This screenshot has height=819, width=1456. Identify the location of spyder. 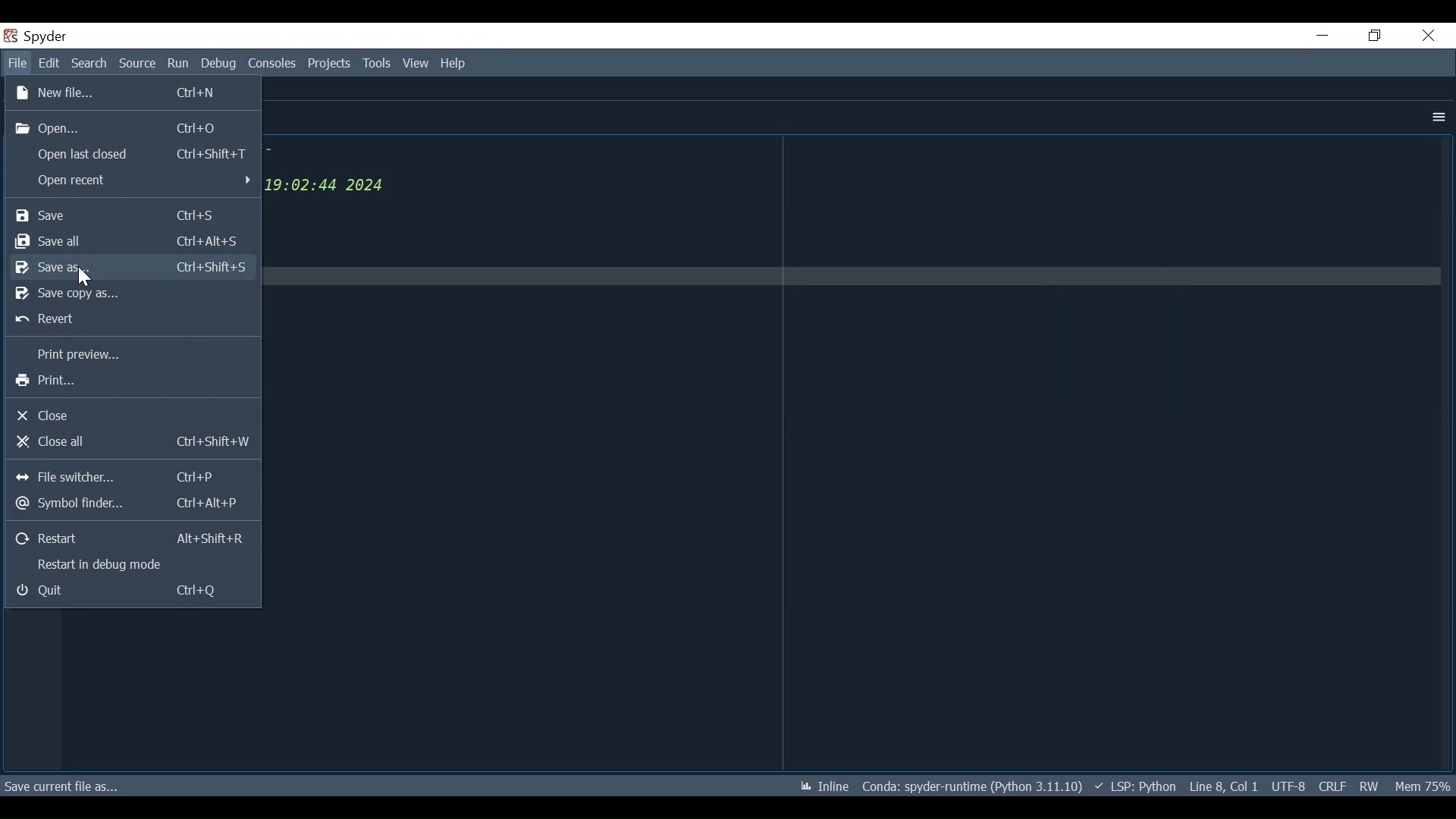
(58, 38).